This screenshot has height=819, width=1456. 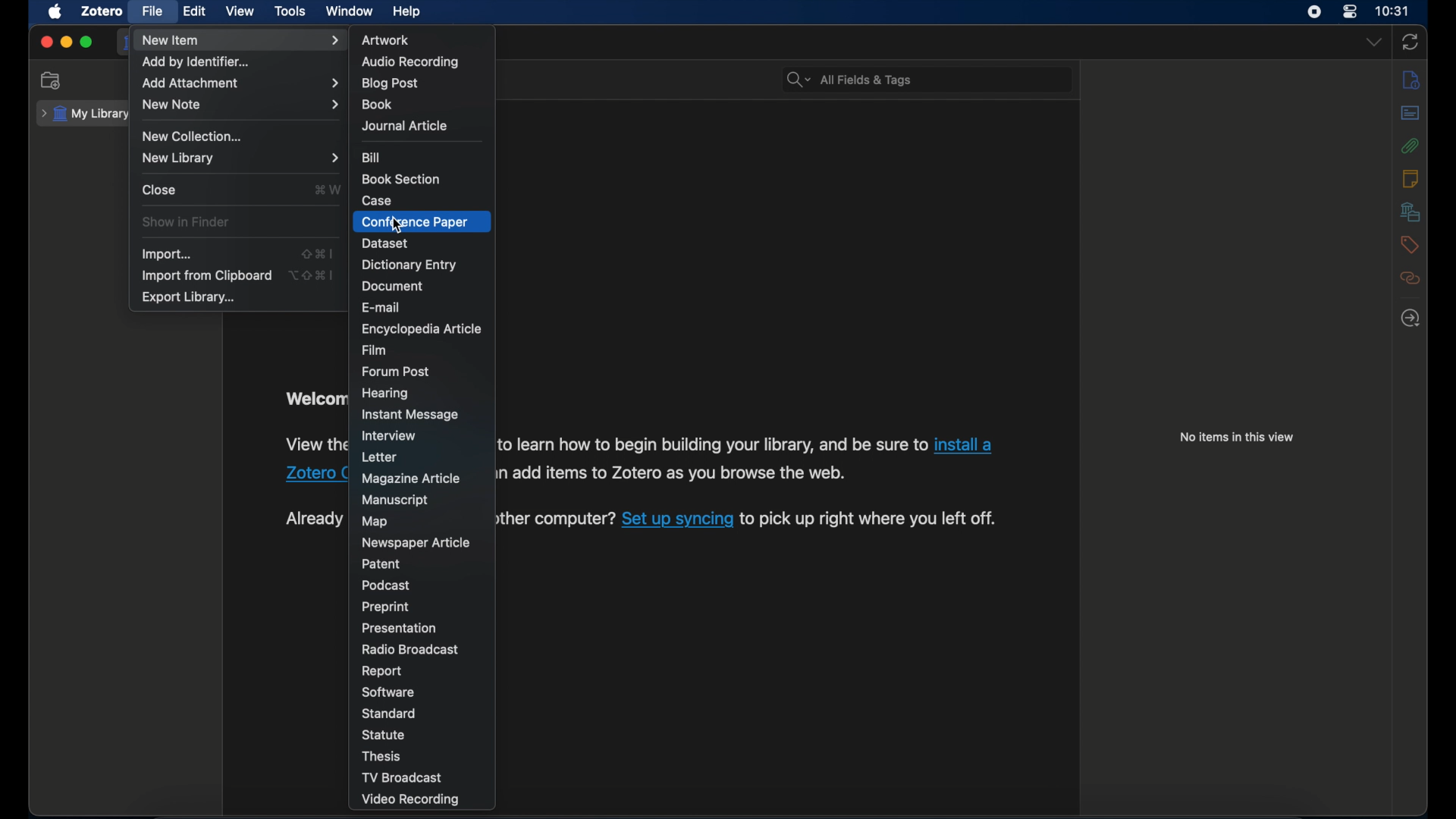 I want to click on text, so click(x=870, y=519).